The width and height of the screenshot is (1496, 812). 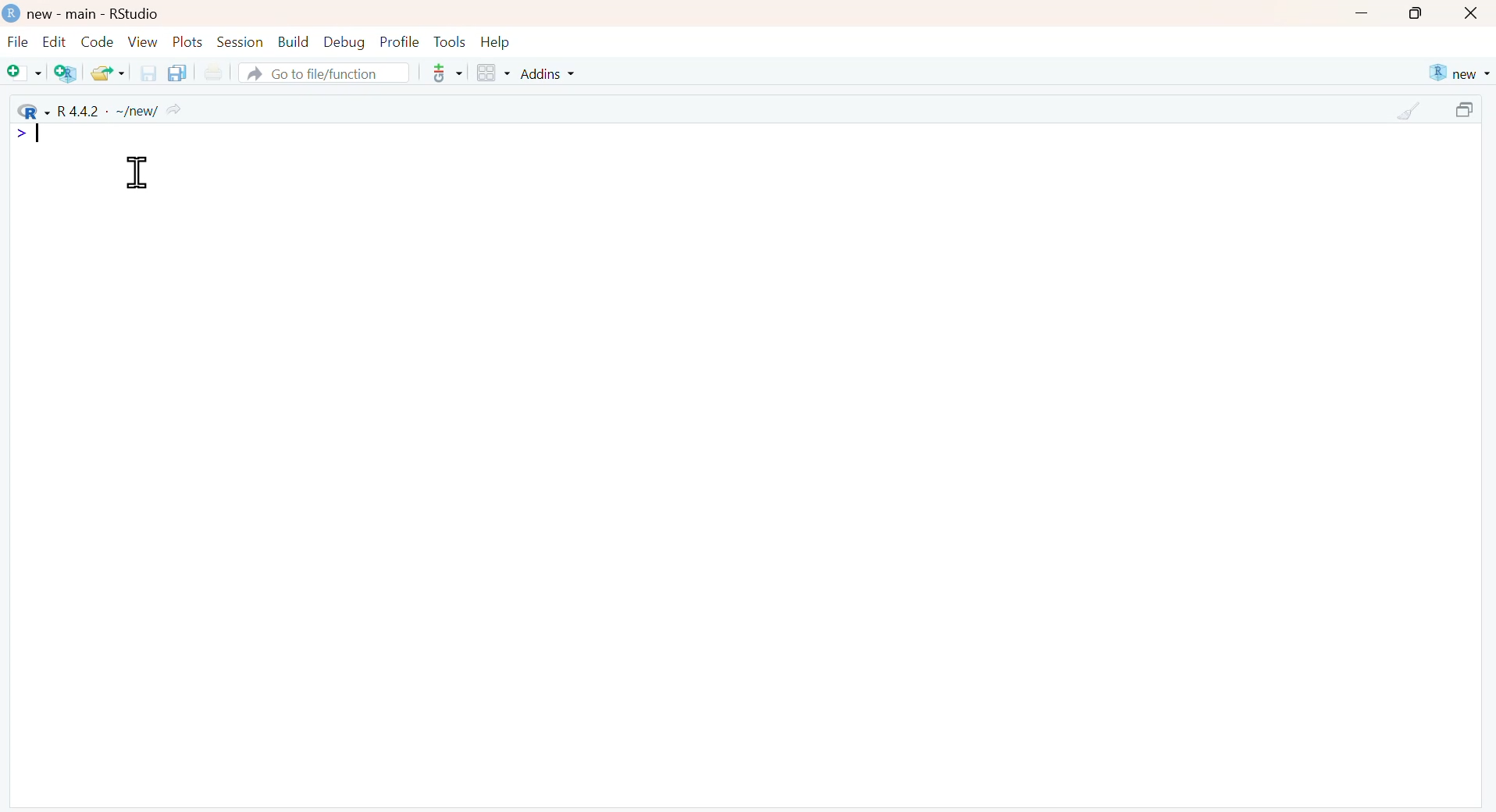 What do you see at coordinates (95, 41) in the screenshot?
I see `Code` at bounding box center [95, 41].